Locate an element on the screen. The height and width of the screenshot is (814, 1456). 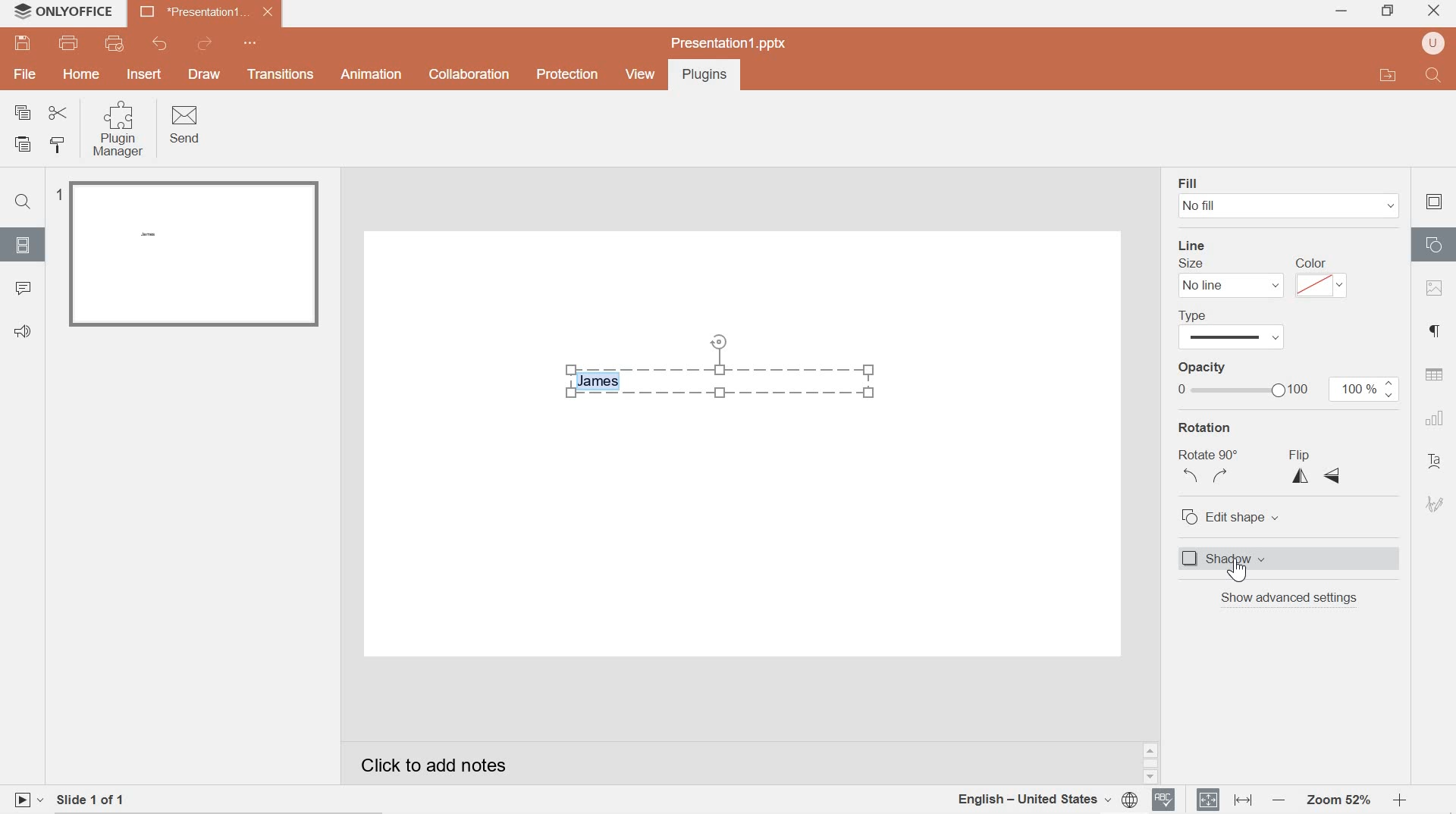
hOME is located at coordinates (82, 76).